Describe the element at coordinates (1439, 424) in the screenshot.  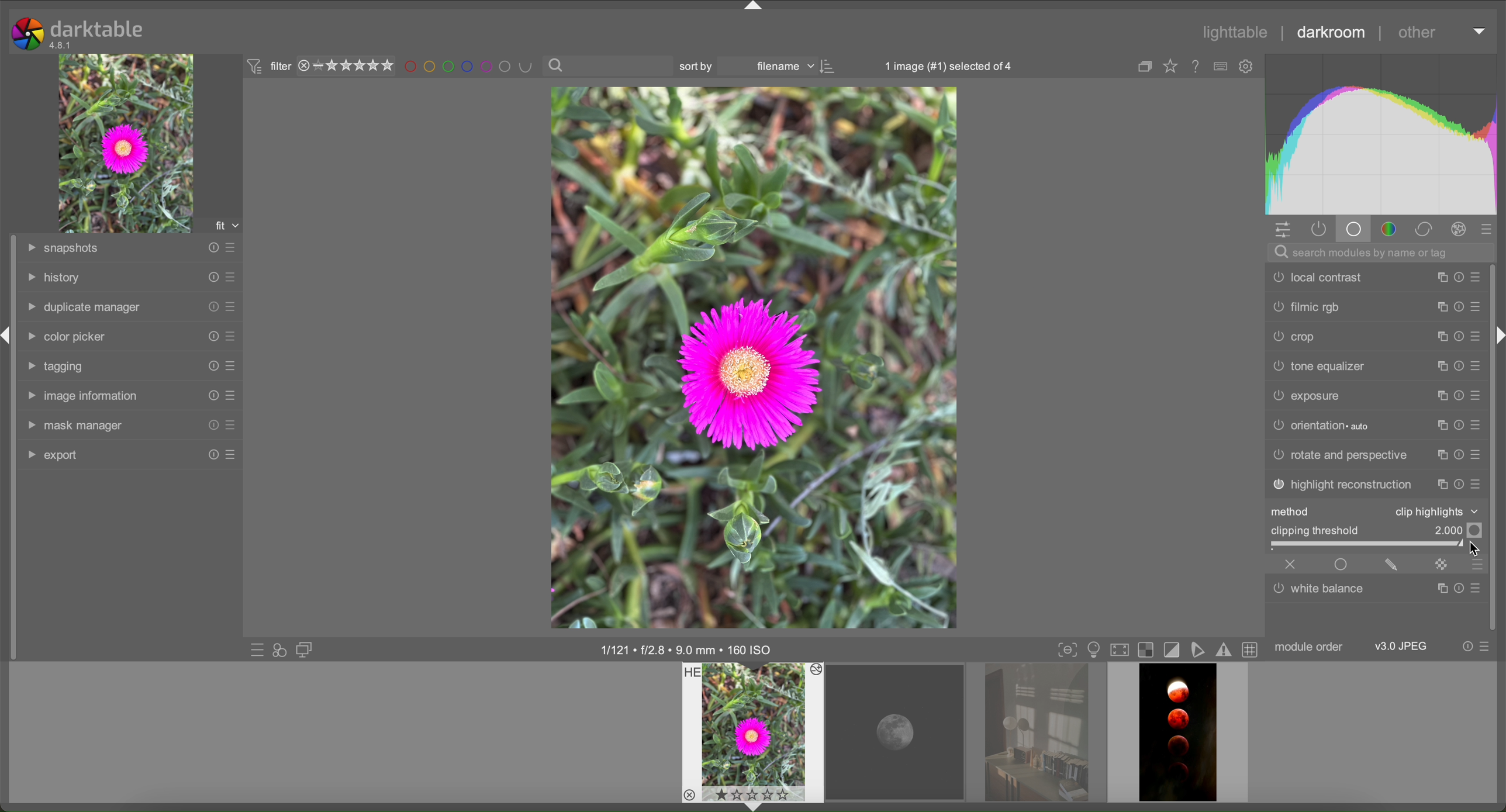
I see `copy` at that location.